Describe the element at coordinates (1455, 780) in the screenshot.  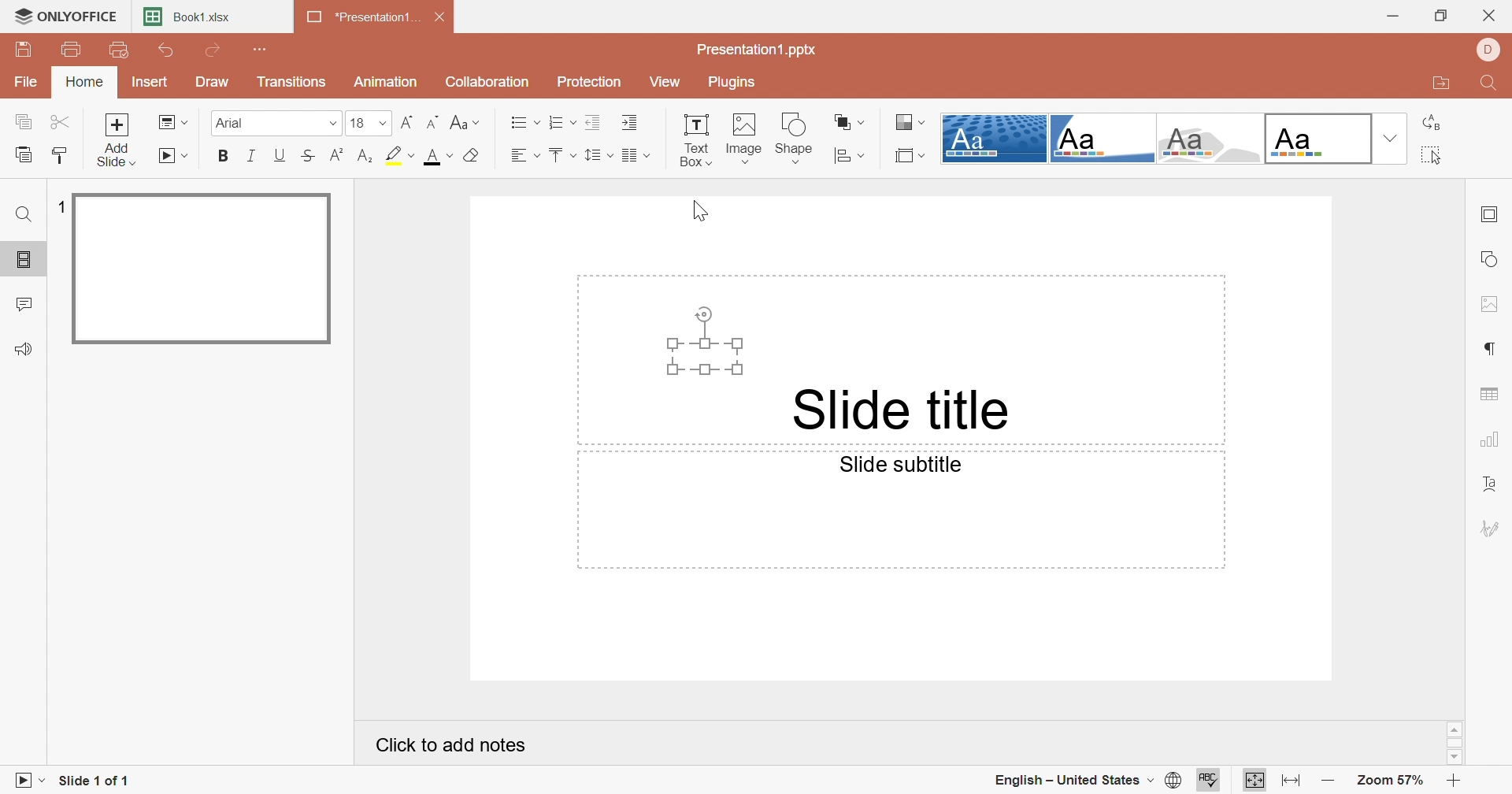
I see `Zoom in` at that location.